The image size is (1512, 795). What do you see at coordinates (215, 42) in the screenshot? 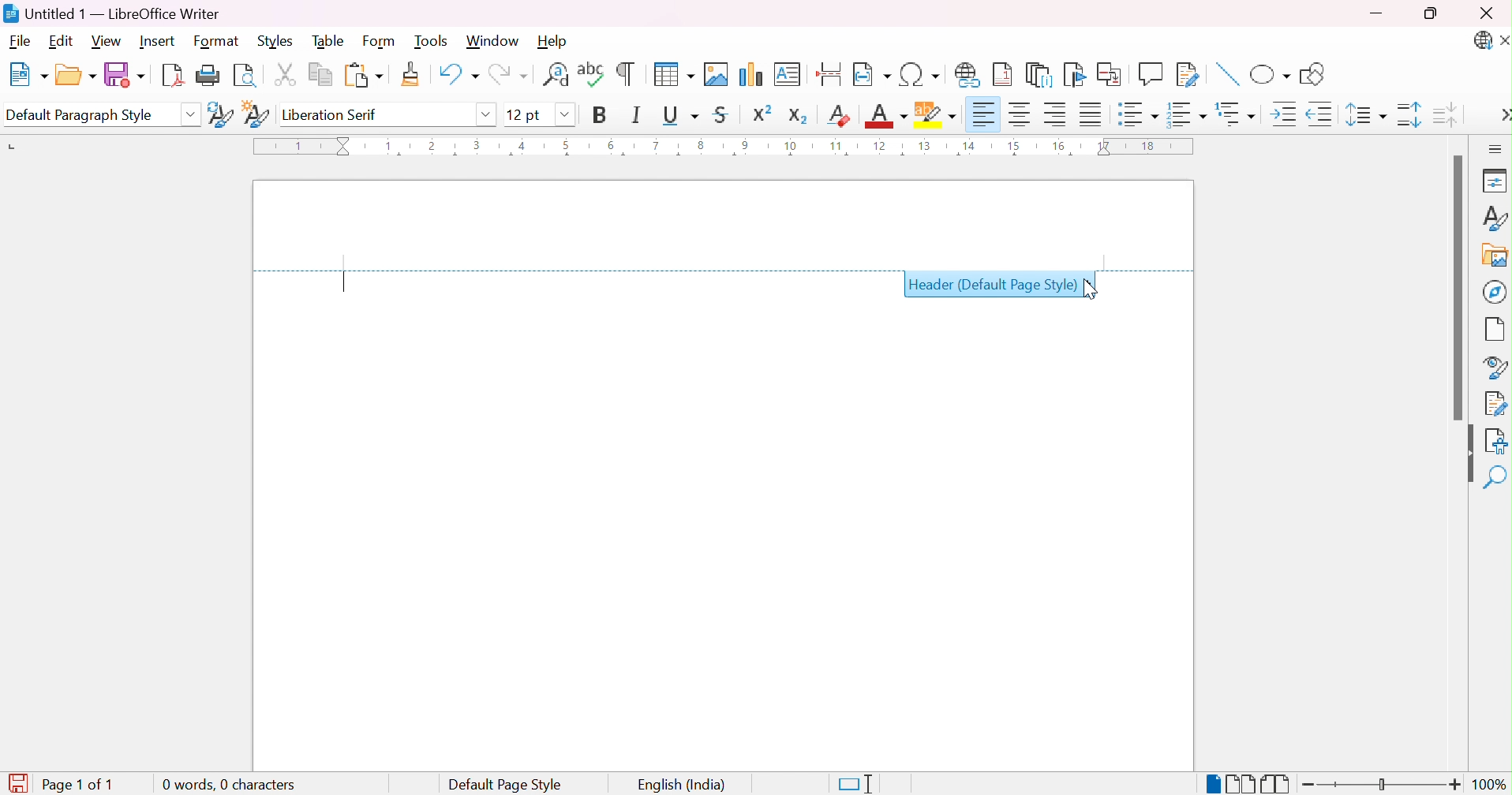
I see `Format` at bounding box center [215, 42].